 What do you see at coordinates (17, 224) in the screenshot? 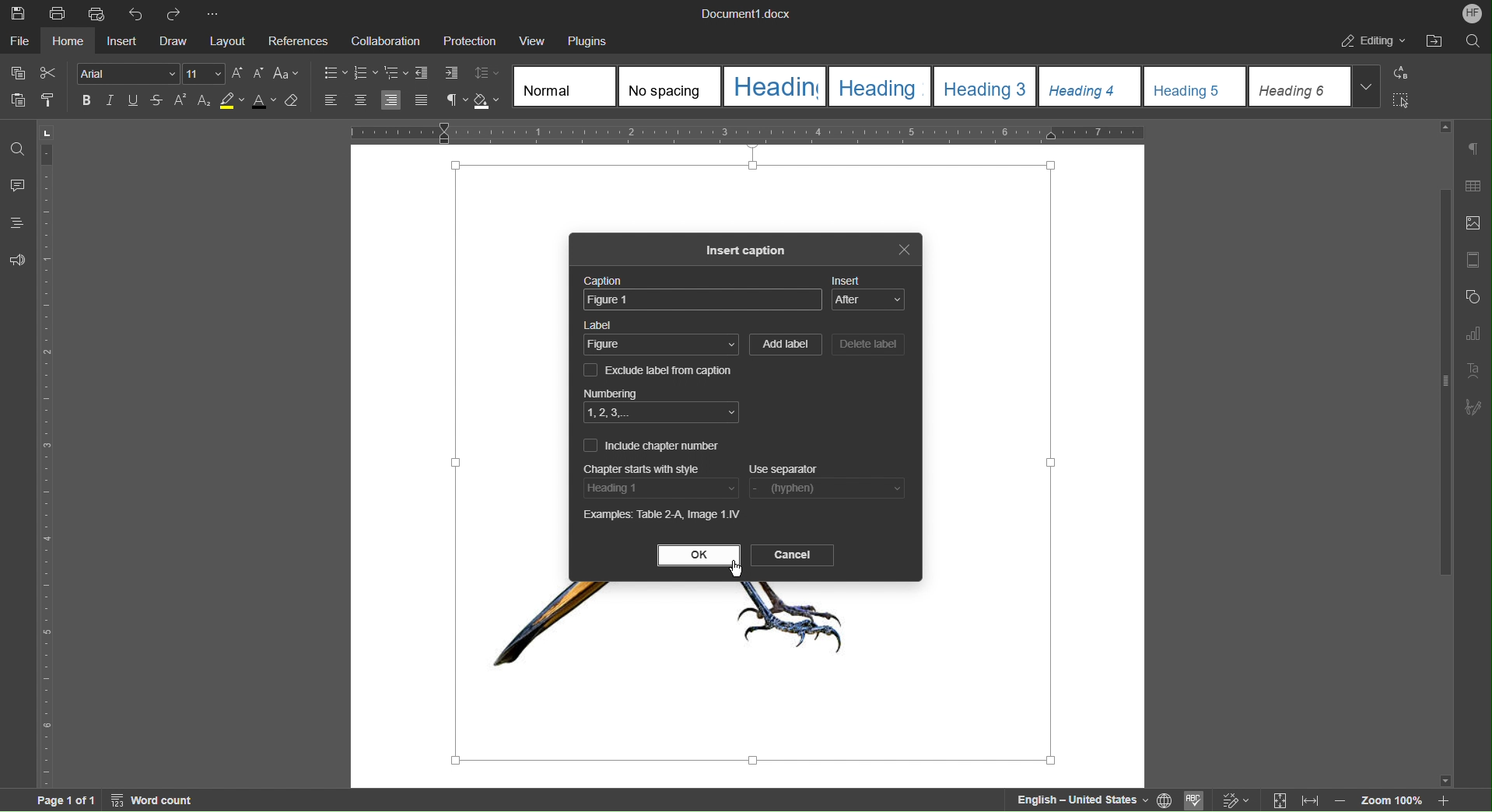
I see `Headings` at bounding box center [17, 224].